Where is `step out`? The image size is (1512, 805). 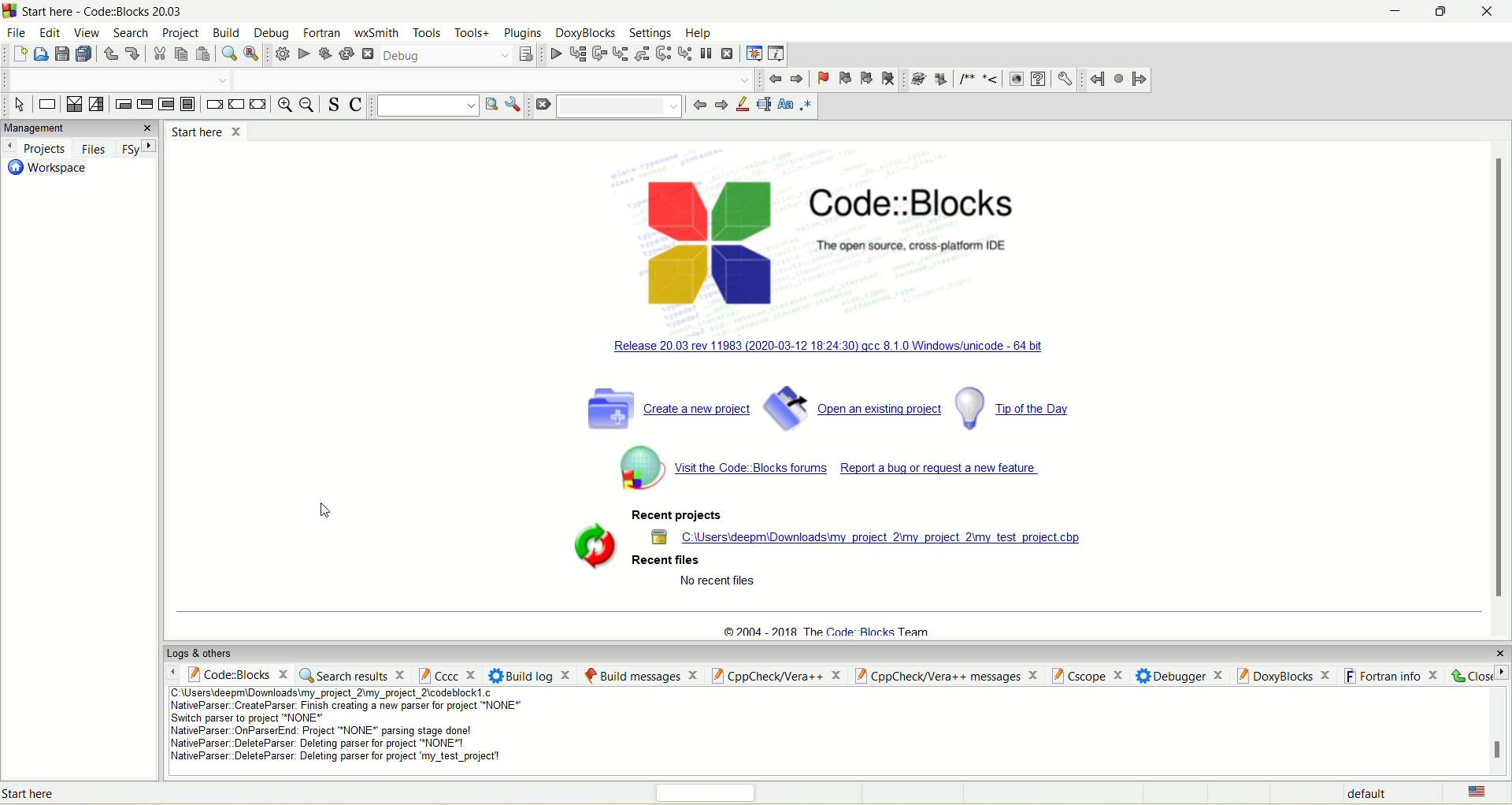 step out is located at coordinates (643, 54).